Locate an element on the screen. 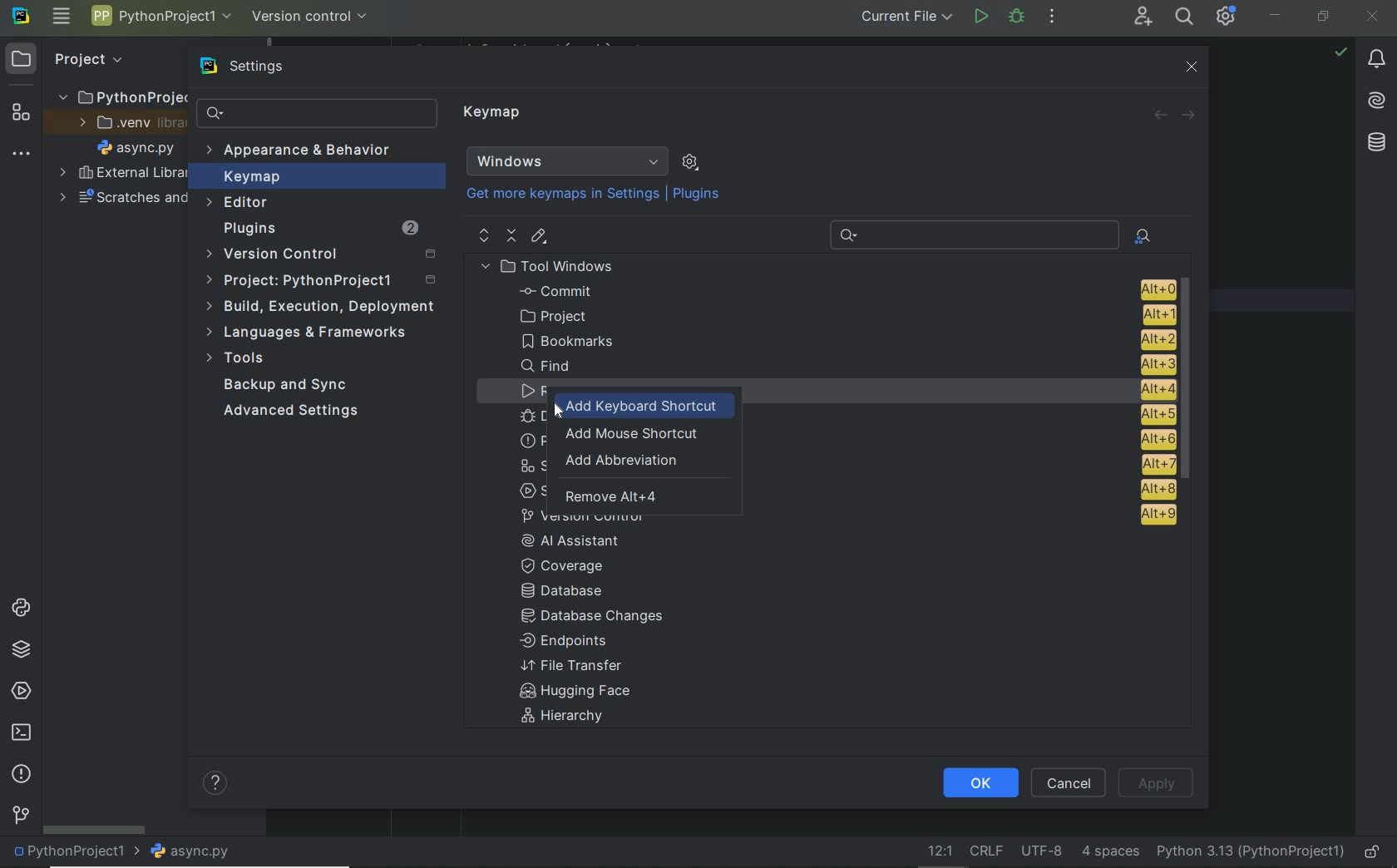  Endpoints is located at coordinates (565, 642).